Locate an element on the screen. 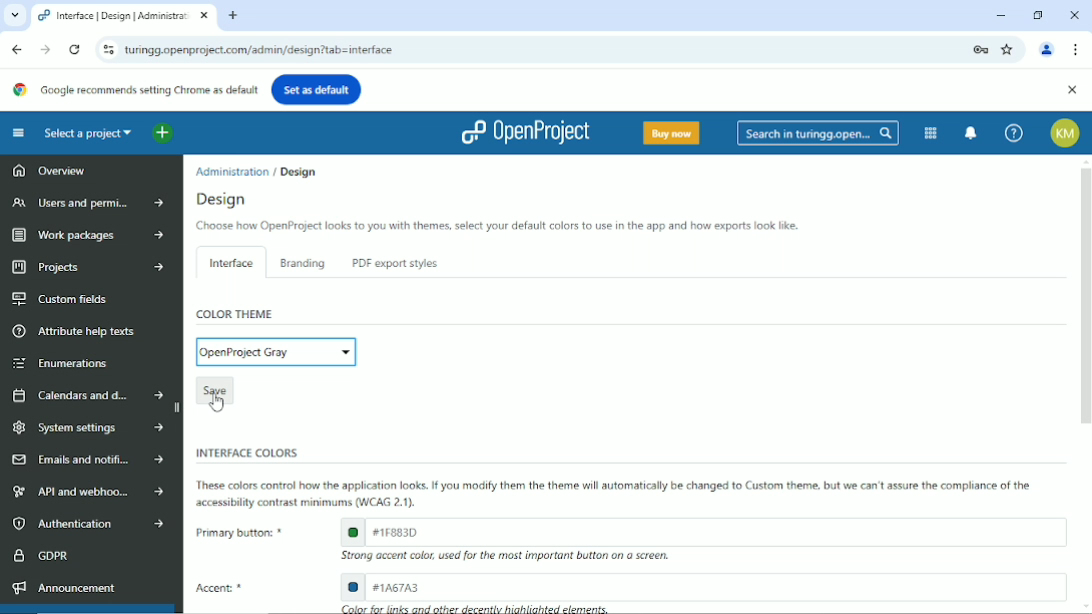  Accent is located at coordinates (225, 589).